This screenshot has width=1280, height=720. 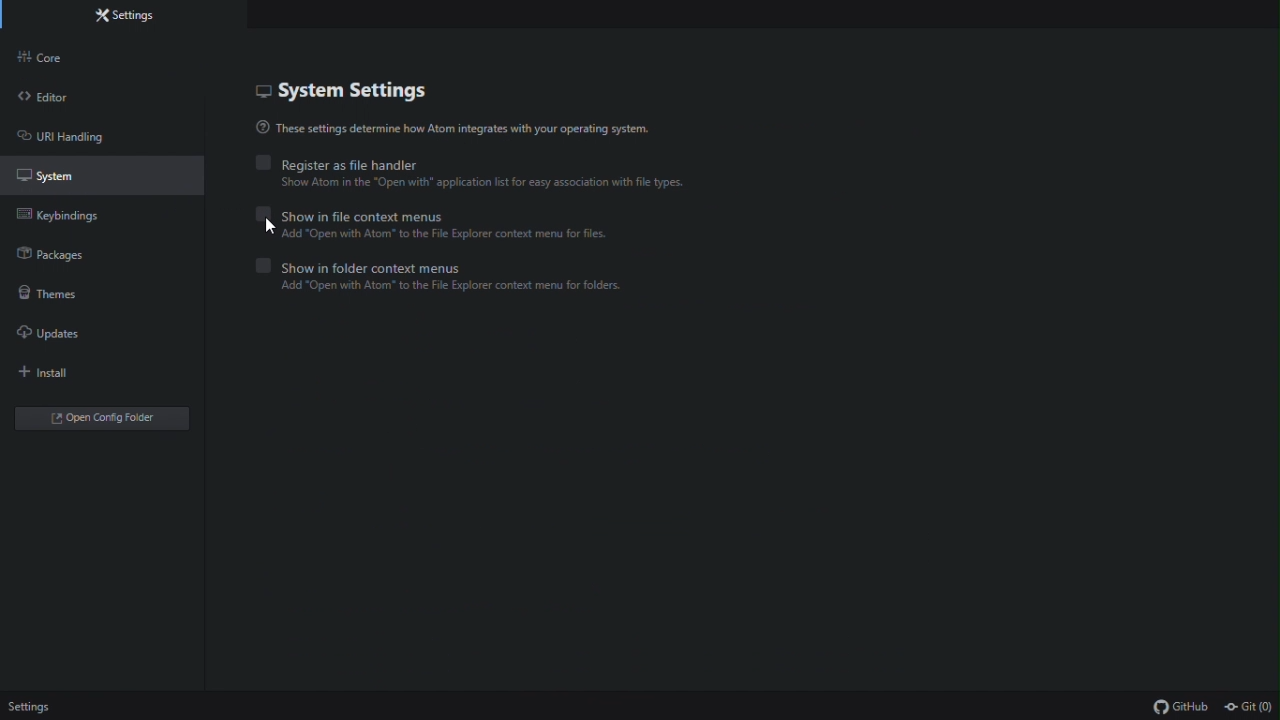 What do you see at coordinates (278, 229) in the screenshot?
I see `cursor` at bounding box center [278, 229].